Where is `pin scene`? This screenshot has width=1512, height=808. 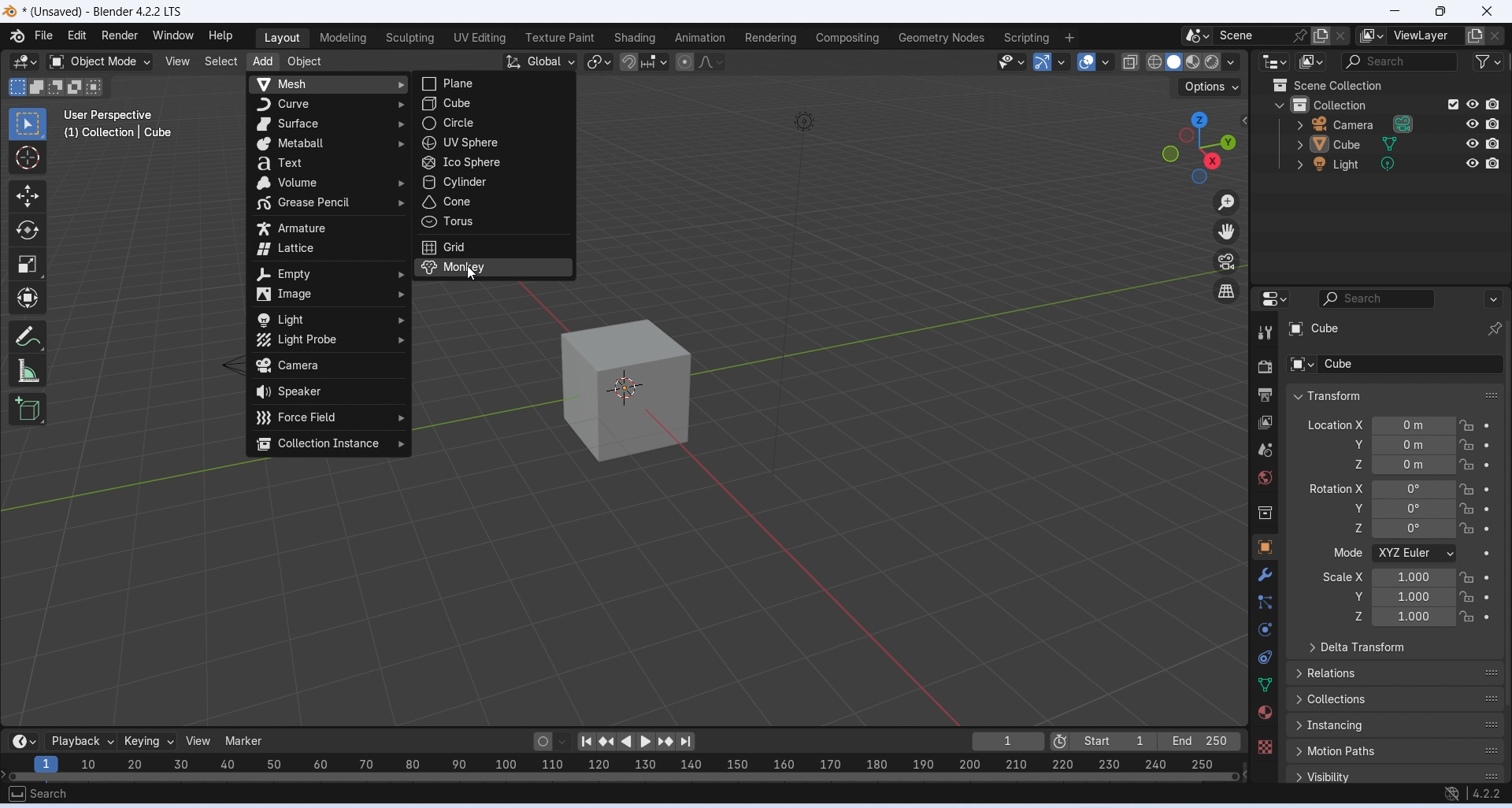 pin scene is located at coordinates (1302, 35).